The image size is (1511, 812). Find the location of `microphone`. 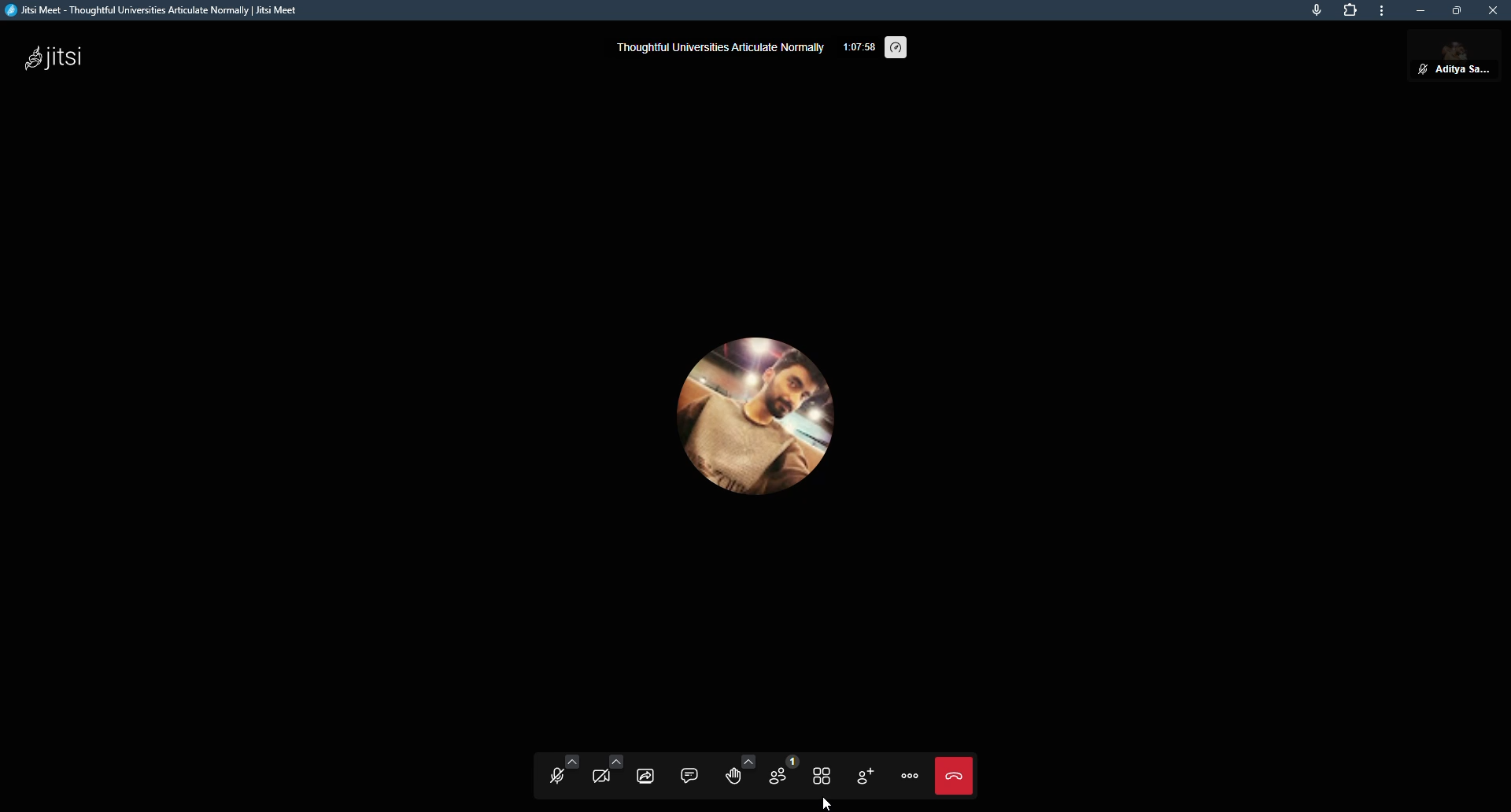

microphone is located at coordinates (1316, 10).